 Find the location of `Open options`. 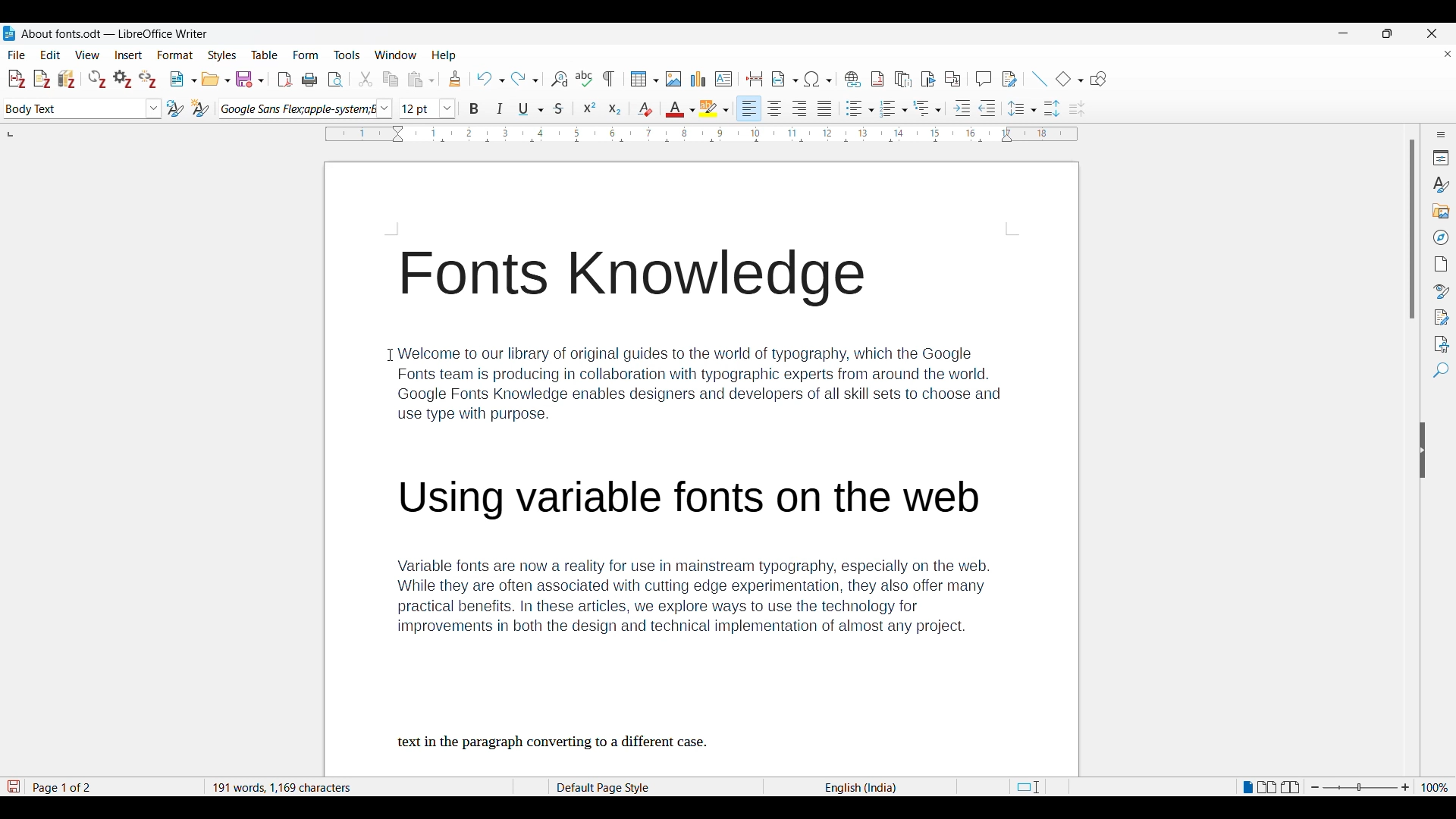

Open options is located at coordinates (215, 79).